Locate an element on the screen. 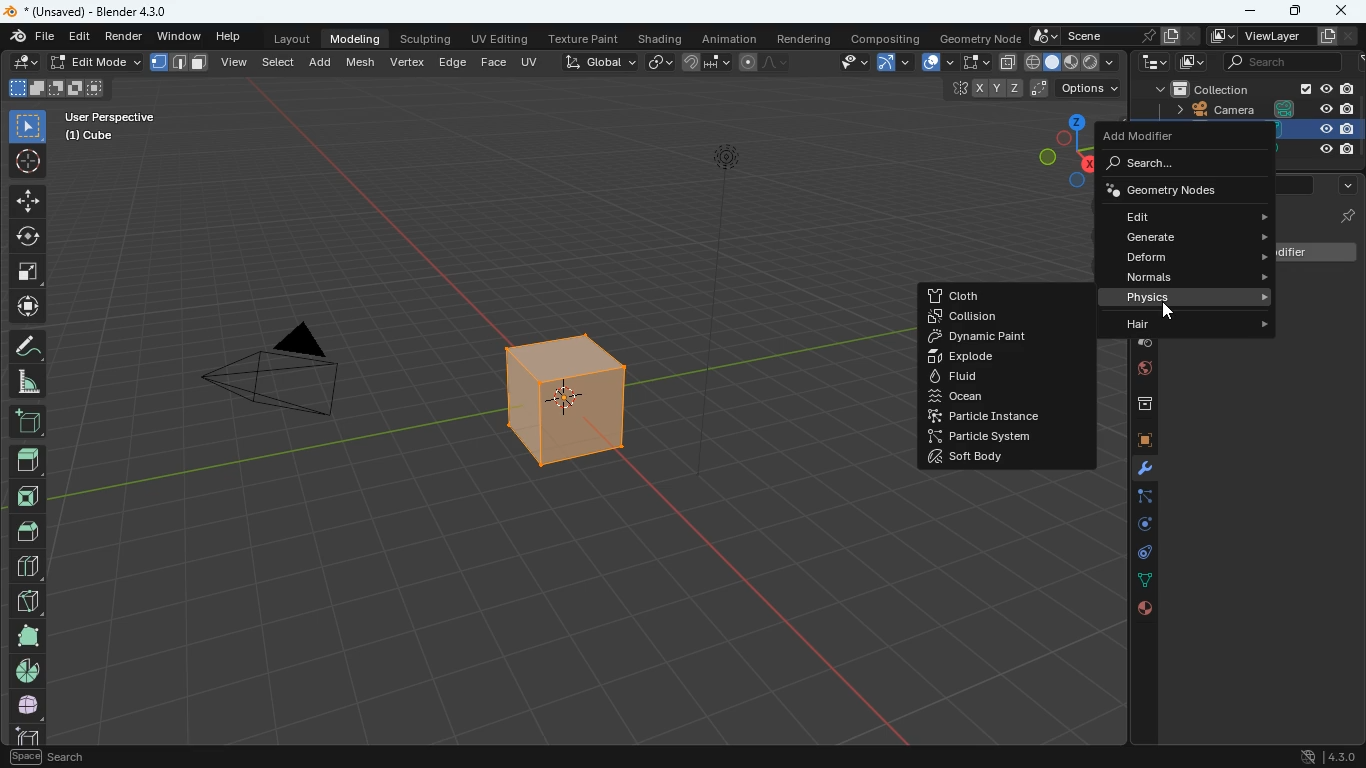 The image size is (1366, 768). front is located at coordinates (26, 496).